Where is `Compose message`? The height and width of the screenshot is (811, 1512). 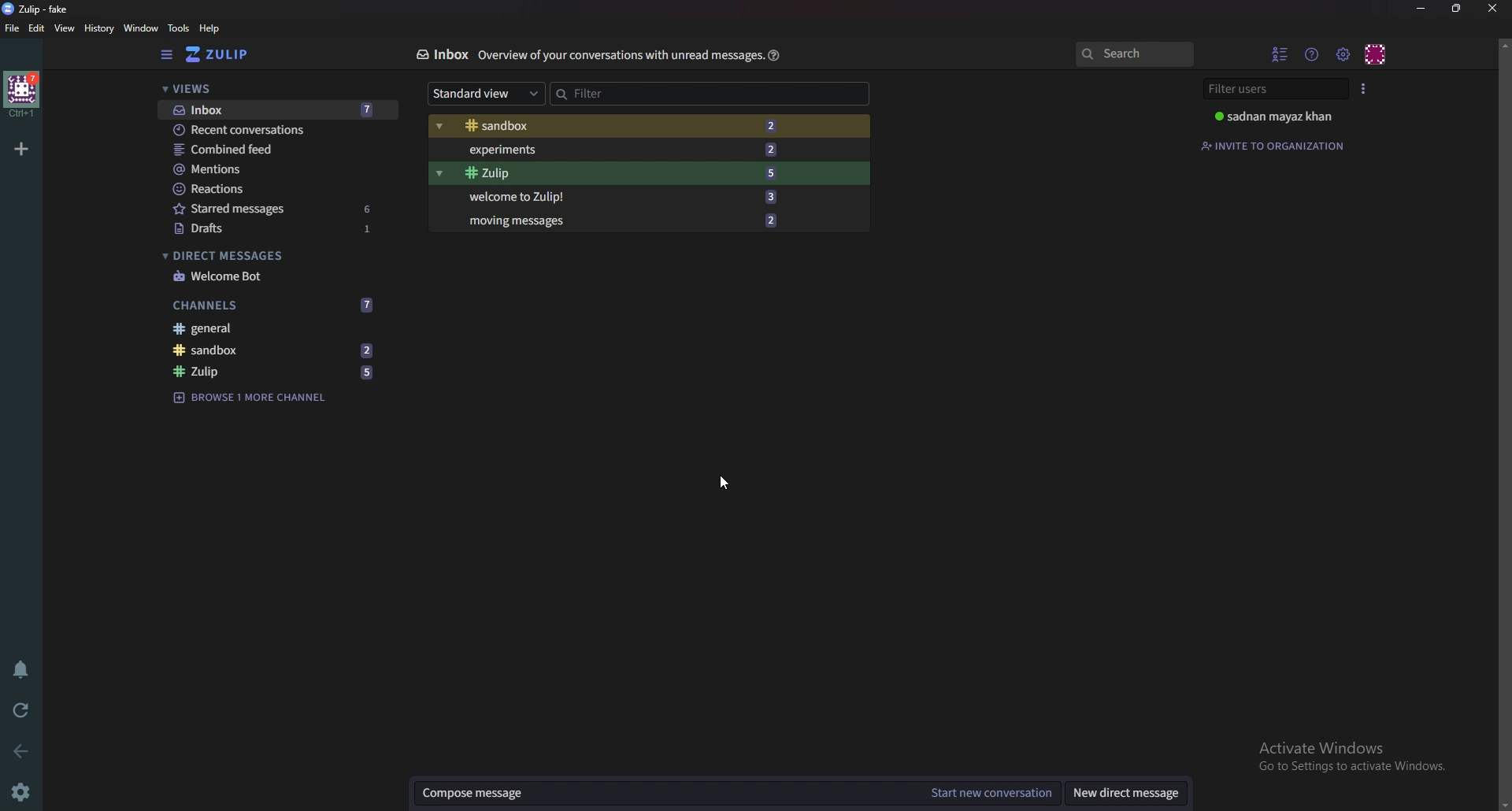
Compose message is located at coordinates (663, 794).